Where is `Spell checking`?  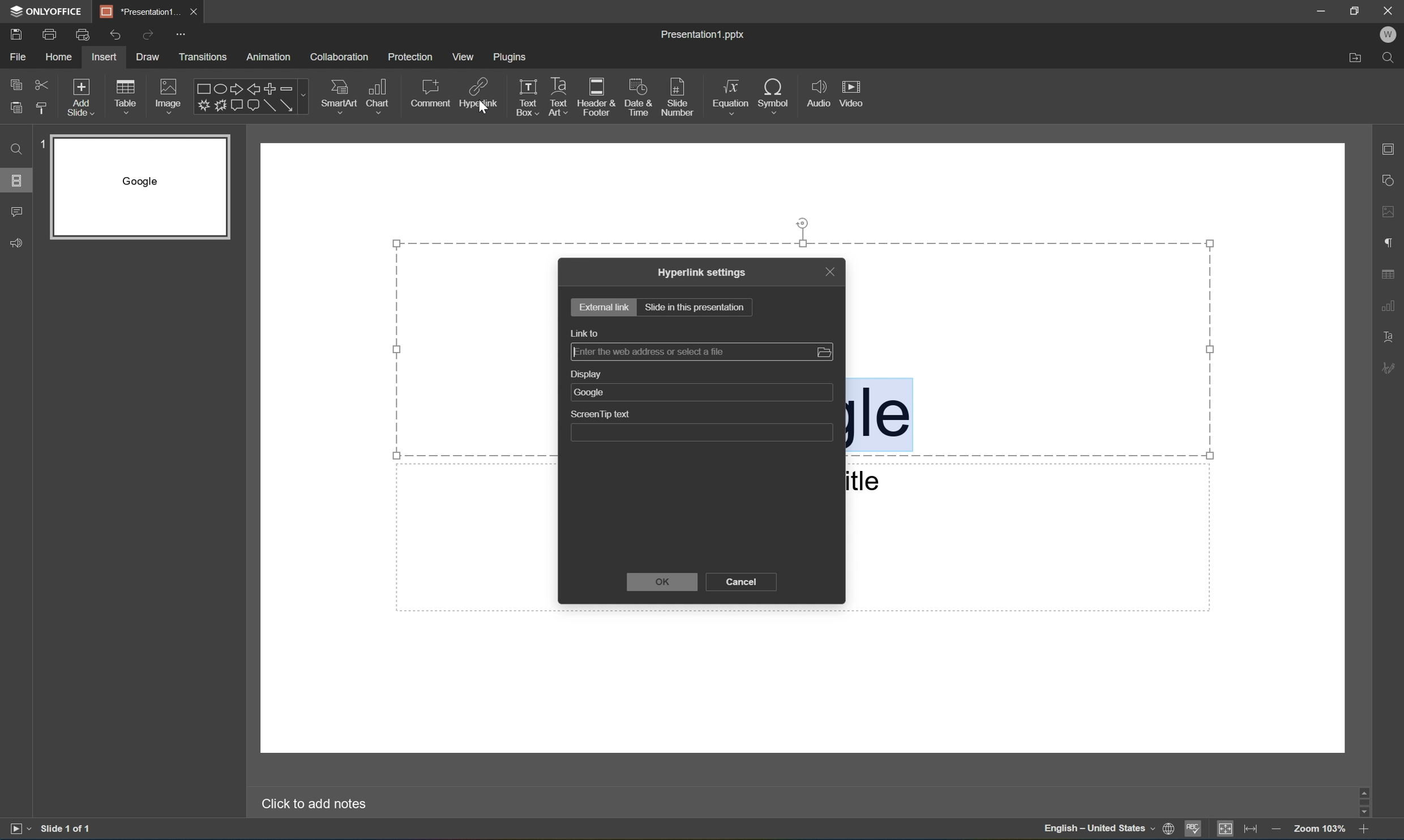 Spell checking is located at coordinates (1194, 830).